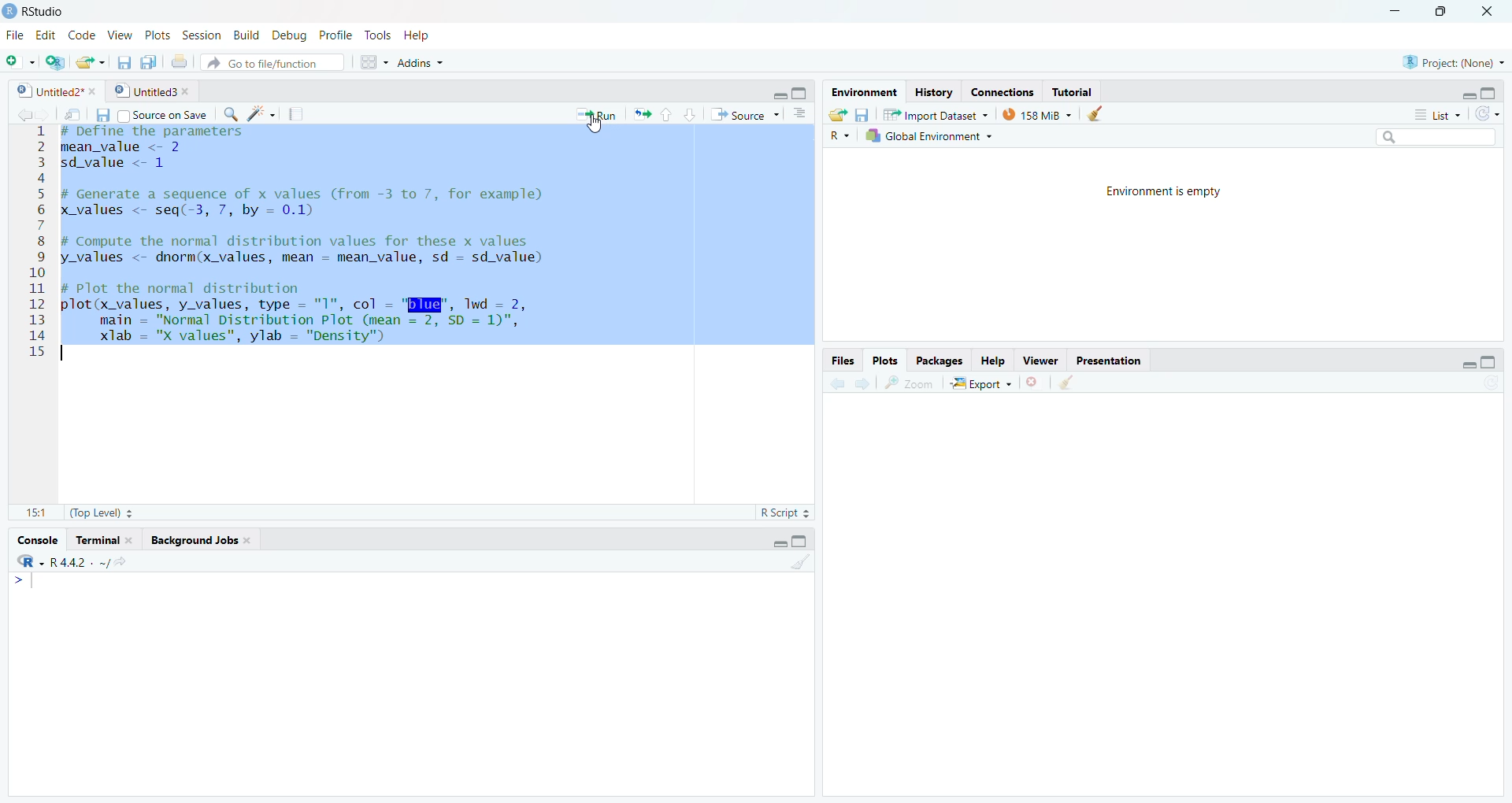 The width and height of the screenshot is (1512, 803). I want to click on Global Environment, so click(928, 135).